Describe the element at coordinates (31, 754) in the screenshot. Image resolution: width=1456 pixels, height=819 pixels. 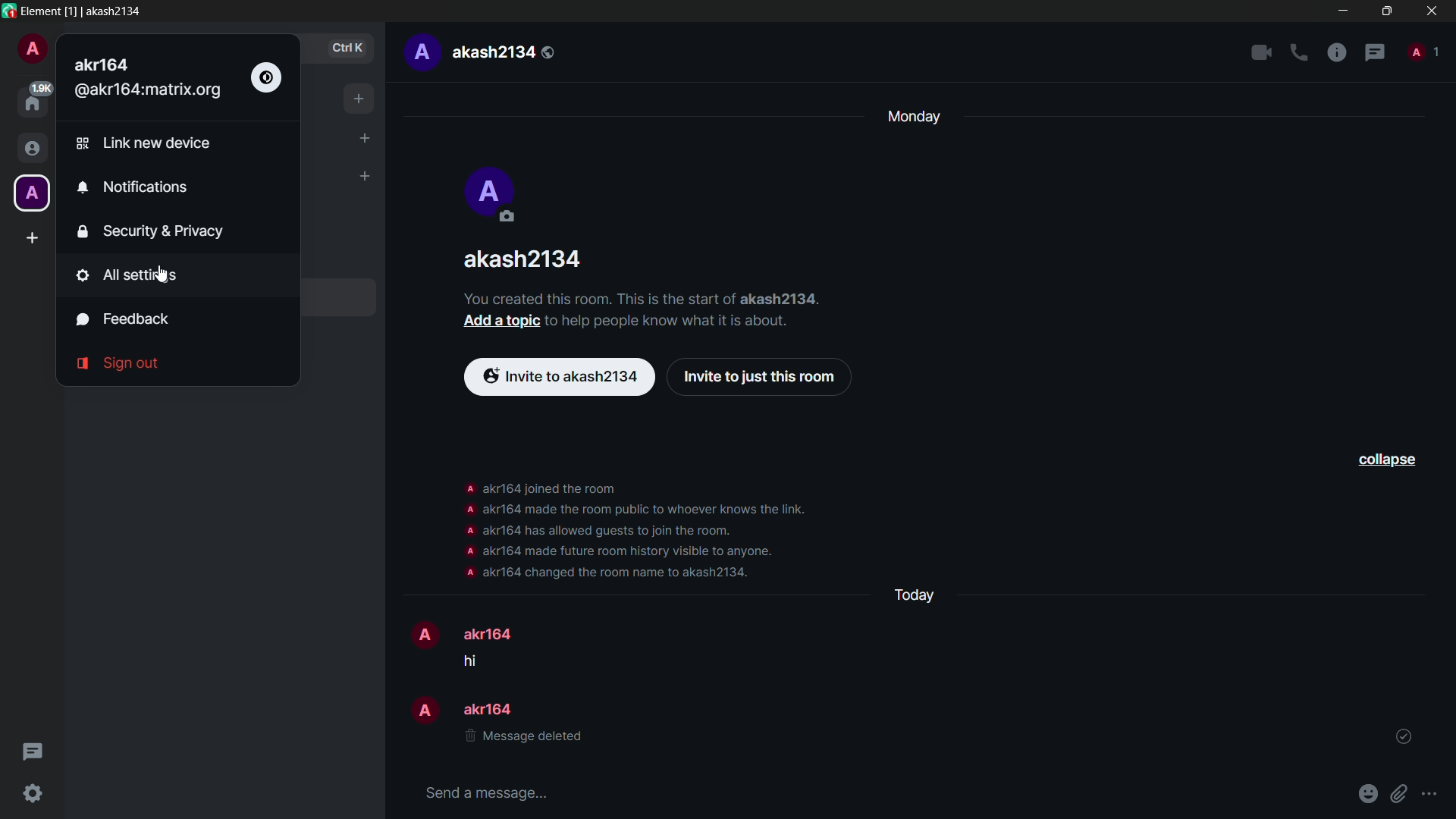
I see `threads` at that location.